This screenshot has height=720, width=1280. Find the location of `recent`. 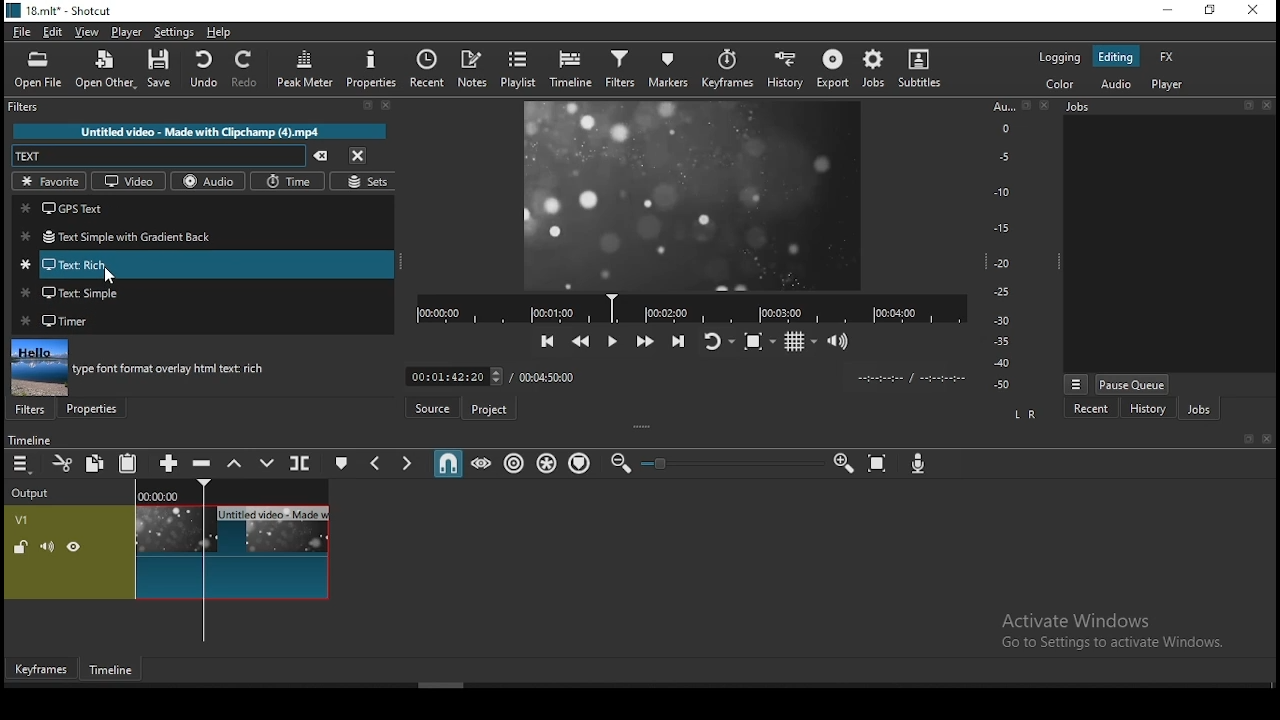

recent is located at coordinates (1092, 408).